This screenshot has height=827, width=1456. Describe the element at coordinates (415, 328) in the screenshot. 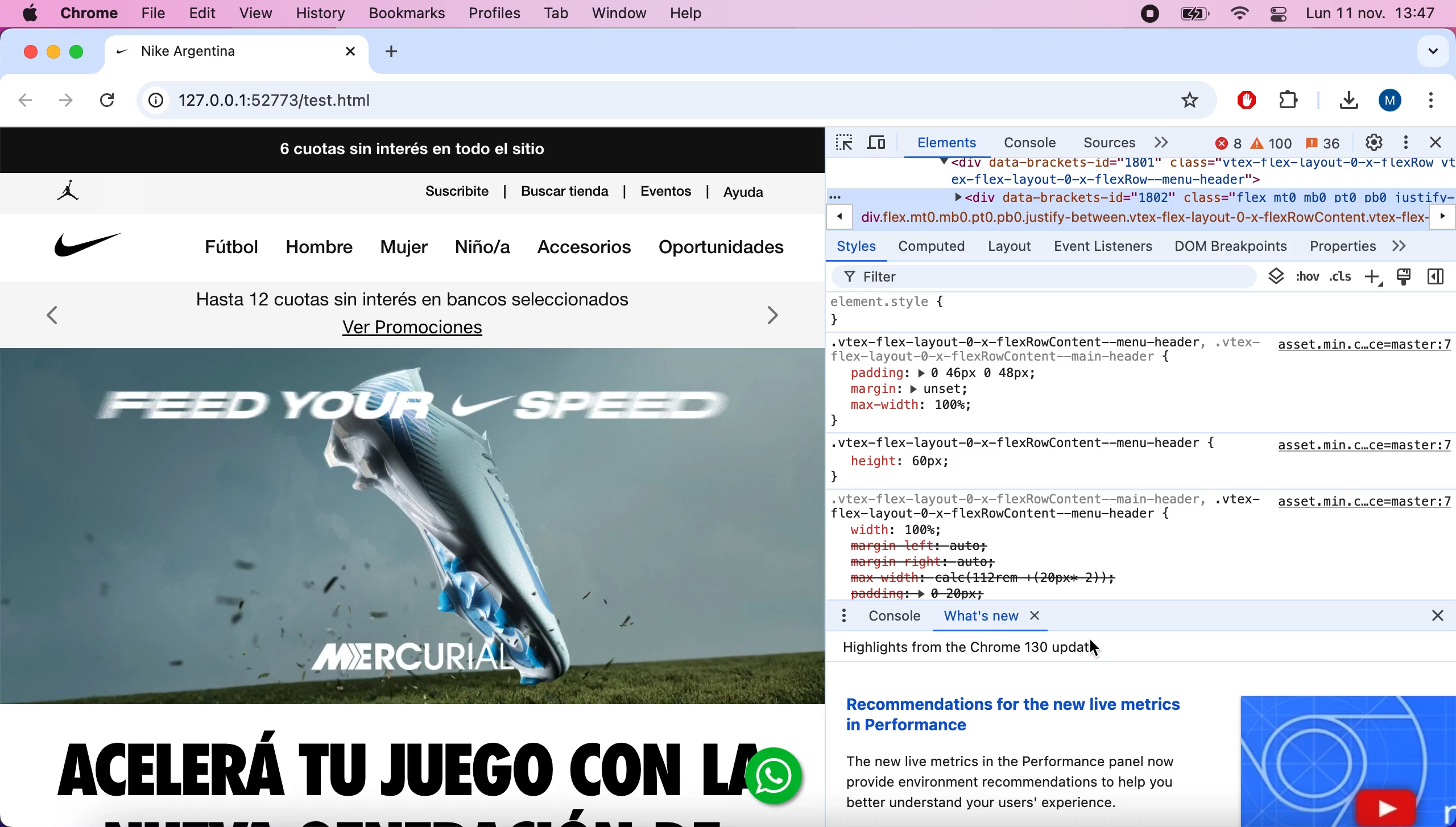

I see `View Promotions` at that location.